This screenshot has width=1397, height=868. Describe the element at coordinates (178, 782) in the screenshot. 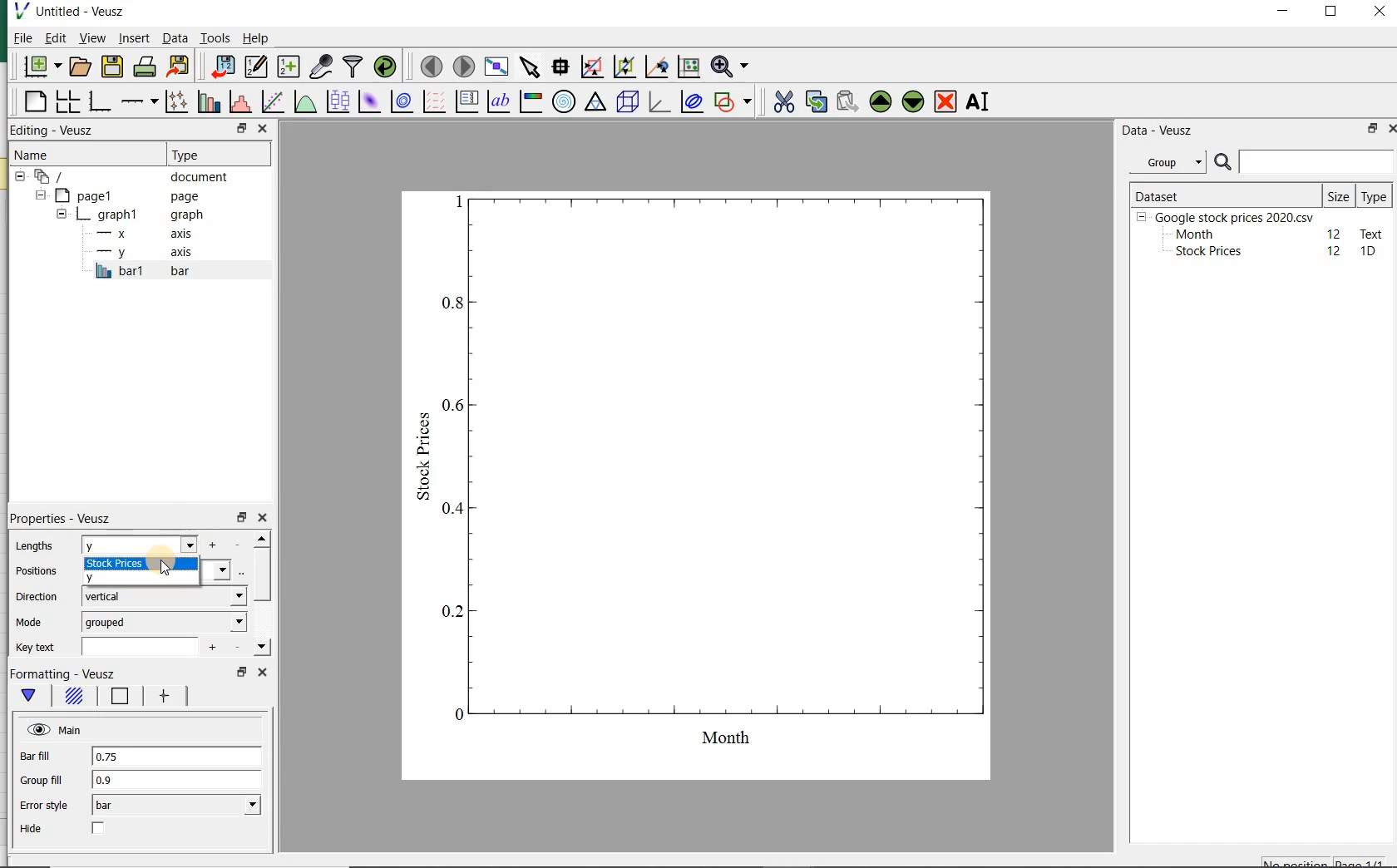

I see `0.9` at that location.